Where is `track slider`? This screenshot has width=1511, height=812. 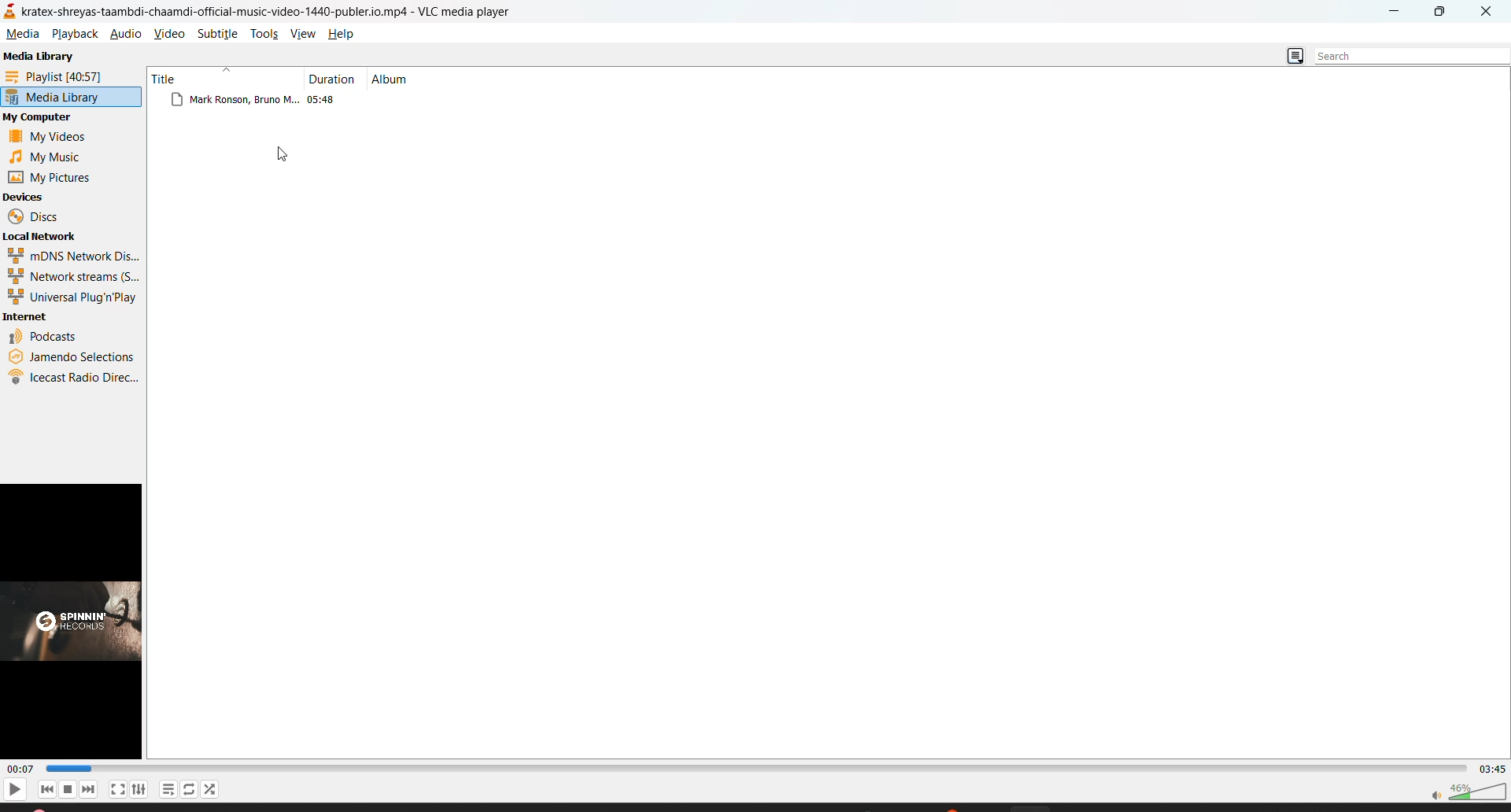
track slider is located at coordinates (759, 770).